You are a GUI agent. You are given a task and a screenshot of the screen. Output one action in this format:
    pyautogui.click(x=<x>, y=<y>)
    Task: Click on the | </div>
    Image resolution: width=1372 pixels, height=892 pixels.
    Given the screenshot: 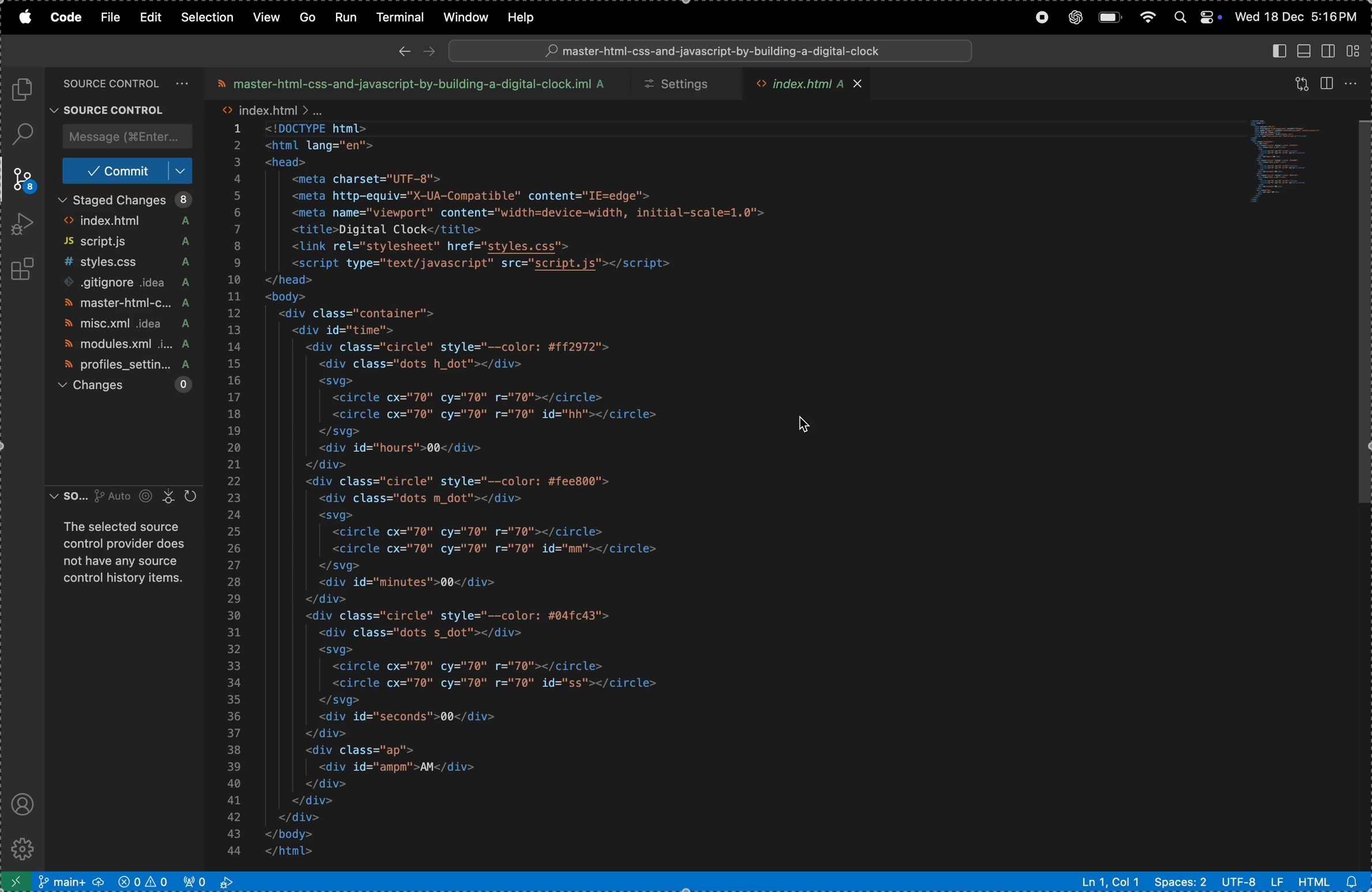 What is the action you would take?
    pyautogui.click(x=319, y=802)
    